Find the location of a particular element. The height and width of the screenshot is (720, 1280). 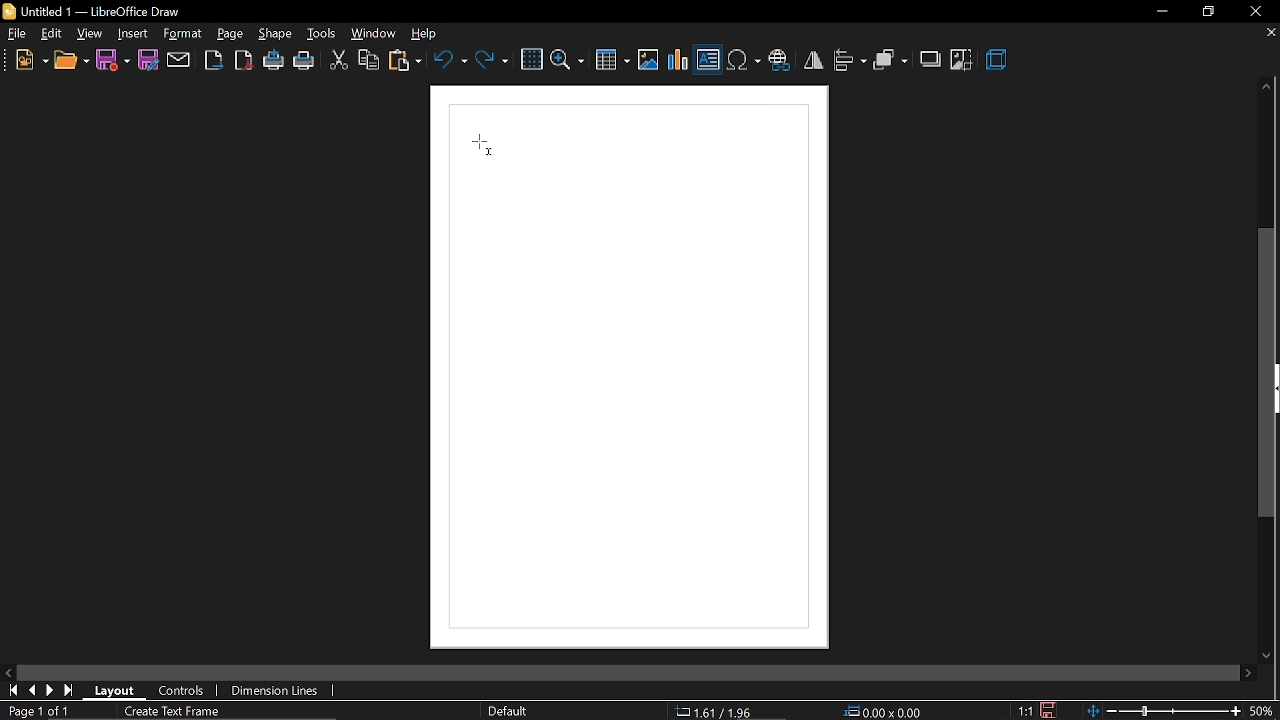

insert image is located at coordinates (648, 61).